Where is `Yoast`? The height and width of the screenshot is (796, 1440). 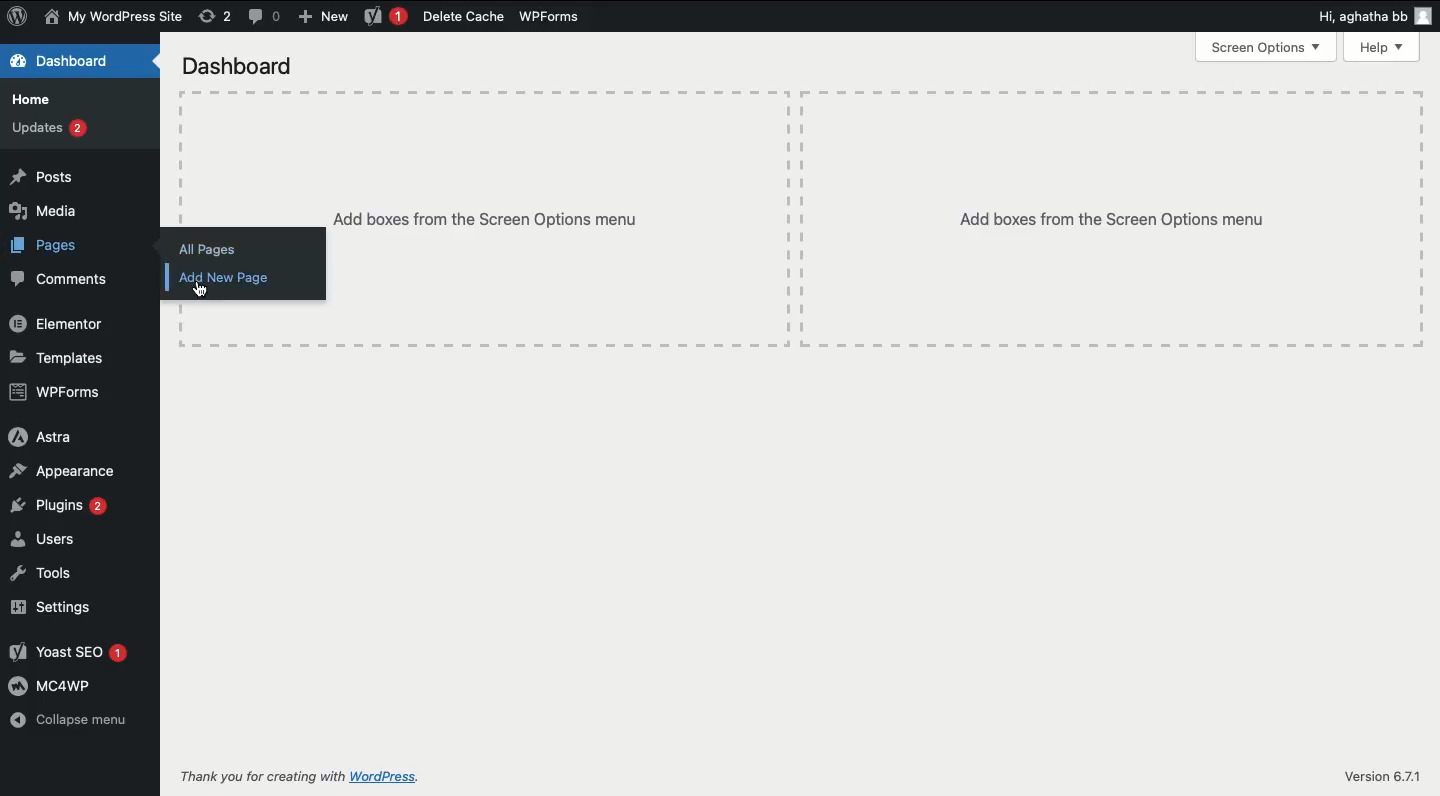
Yoast is located at coordinates (384, 17).